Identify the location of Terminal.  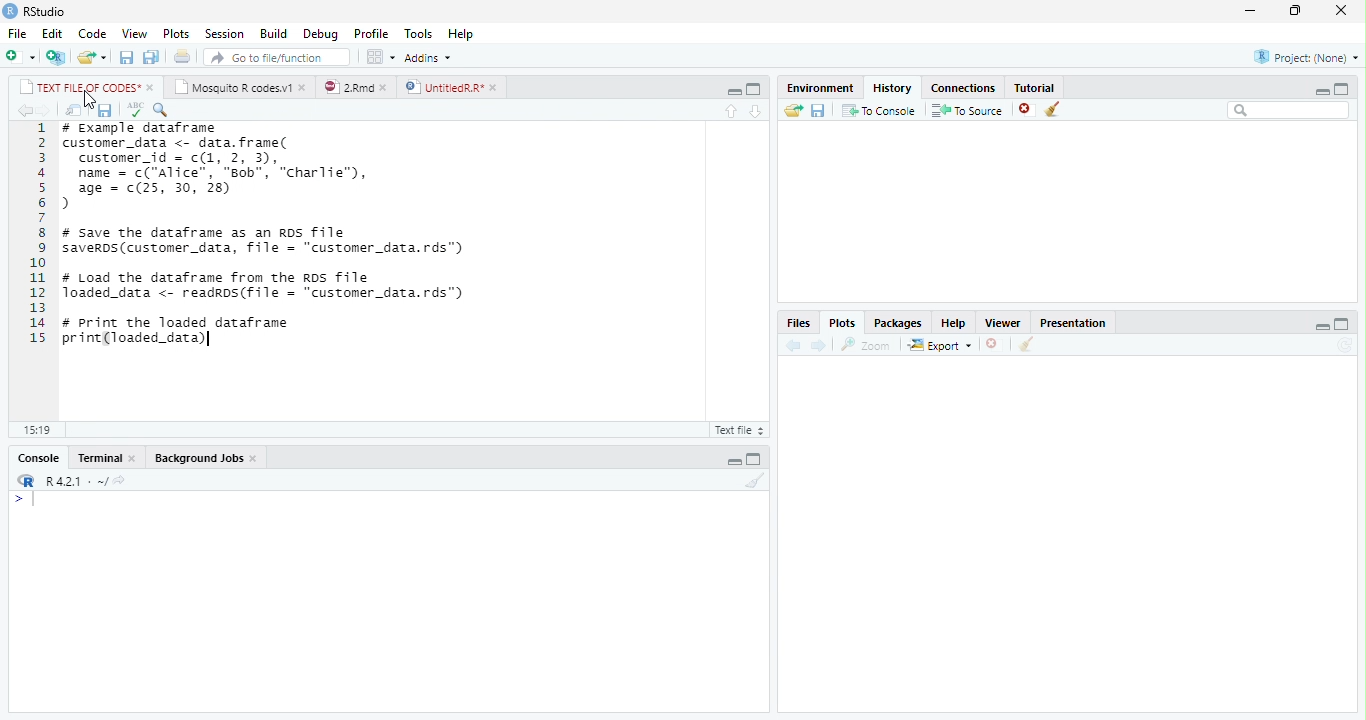
(98, 458).